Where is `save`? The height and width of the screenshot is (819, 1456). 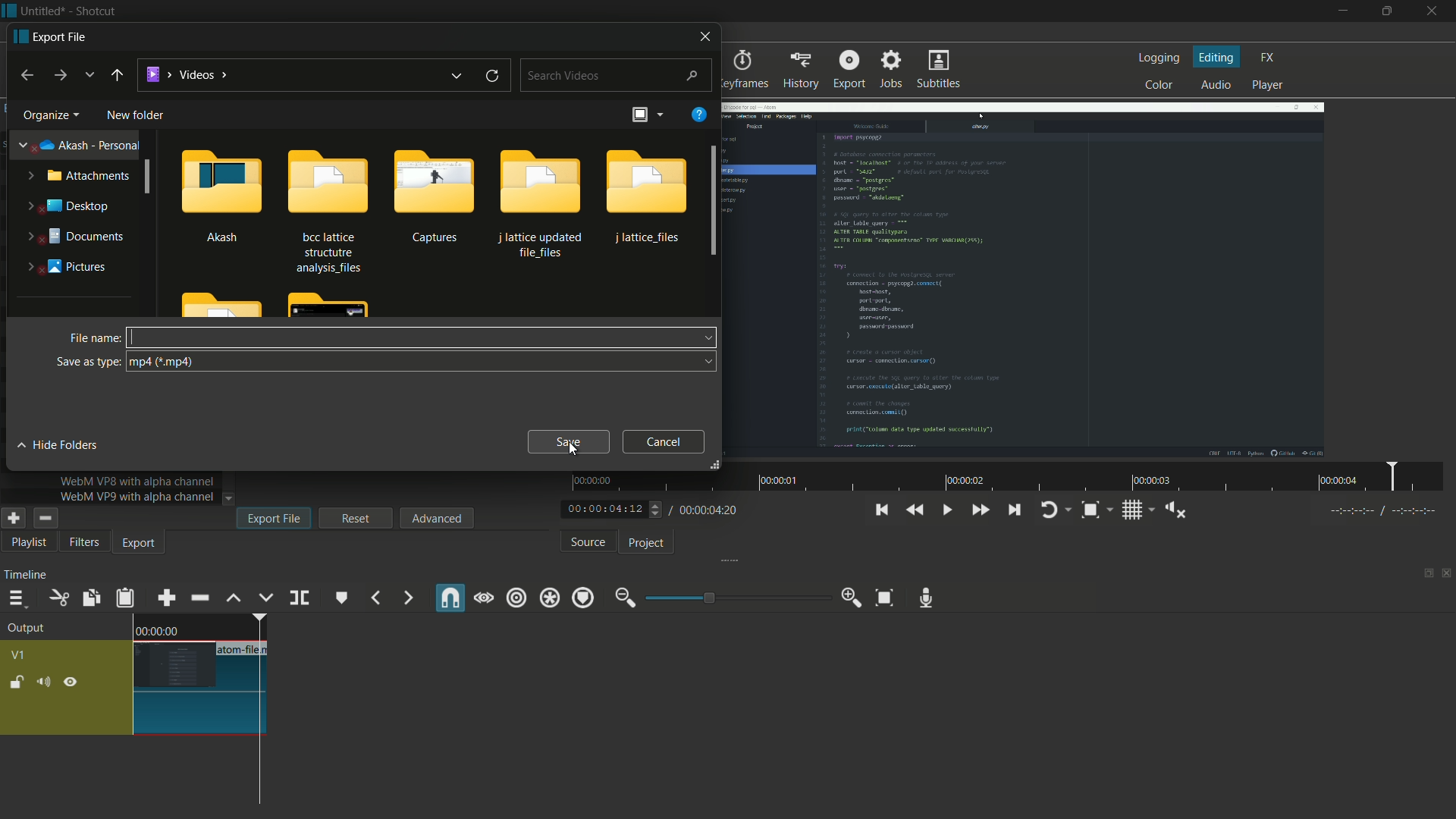
save is located at coordinates (568, 441).